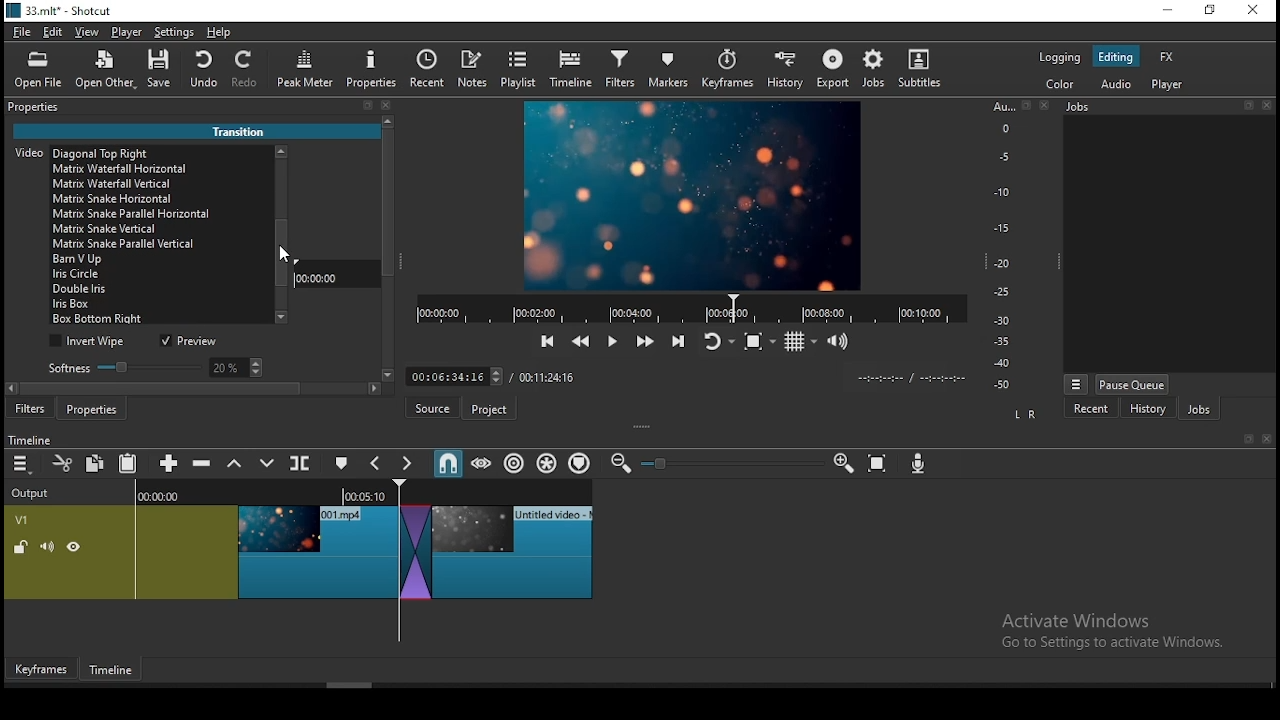 This screenshot has width=1280, height=720. What do you see at coordinates (670, 72) in the screenshot?
I see `markers` at bounding box center [670, 72].